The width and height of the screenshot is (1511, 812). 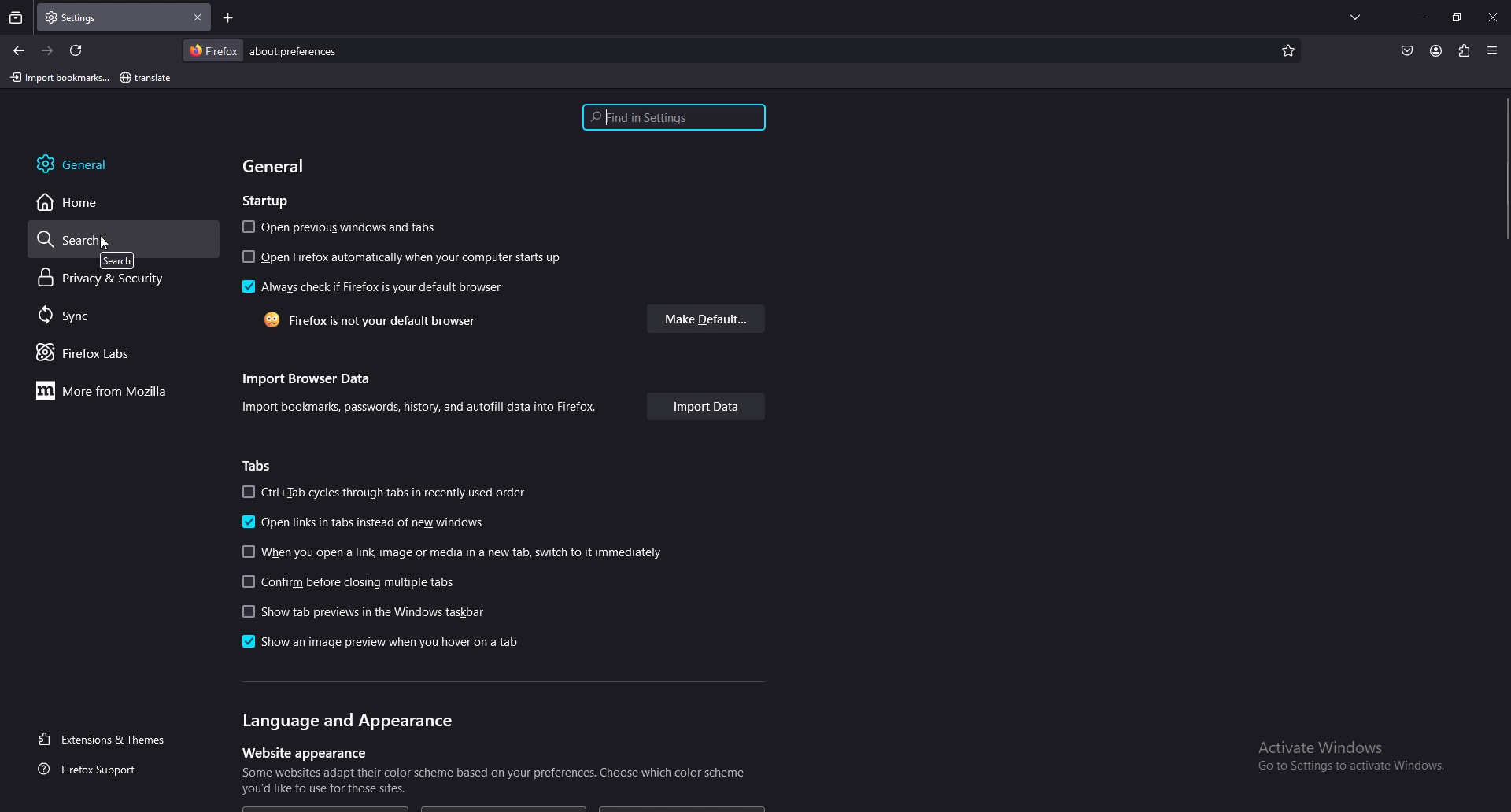 I want to click on back, so click(x=20, y=51).